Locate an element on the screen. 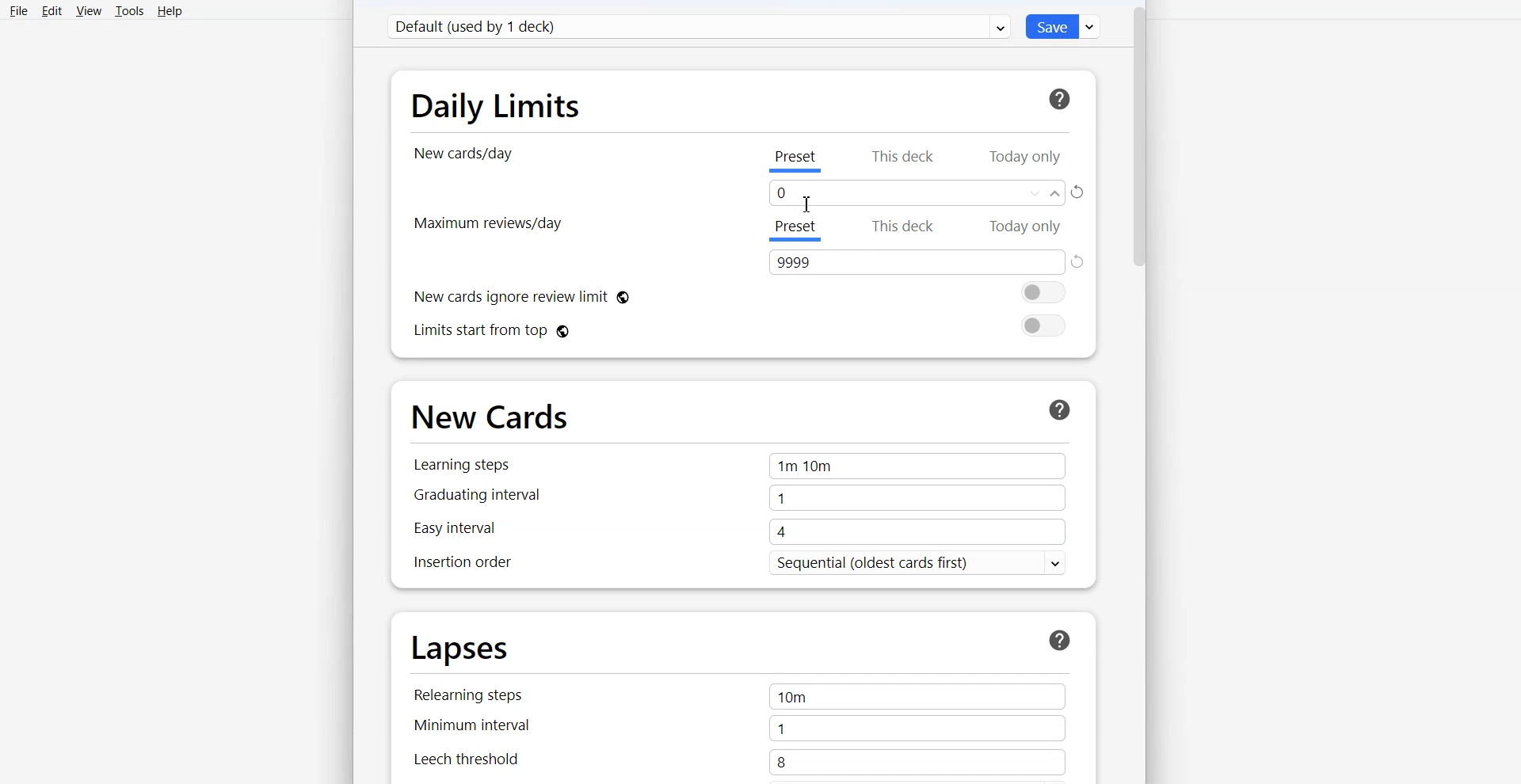 The width and height of the screenshot is (1521, 784). 8 is located at coordinates (914, 763).